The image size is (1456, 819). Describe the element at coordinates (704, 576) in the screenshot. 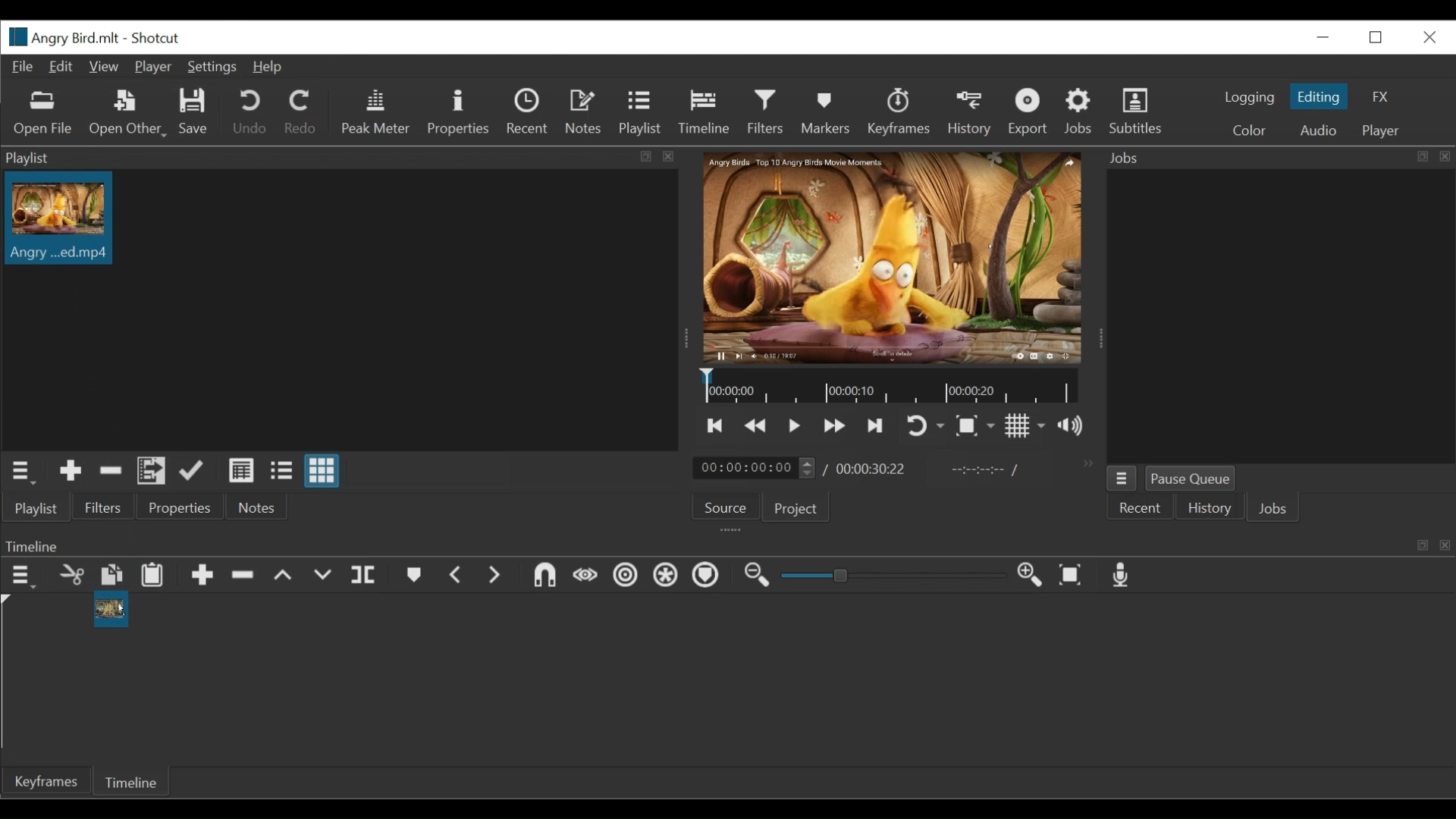

I see `Ripple markers` at that location.